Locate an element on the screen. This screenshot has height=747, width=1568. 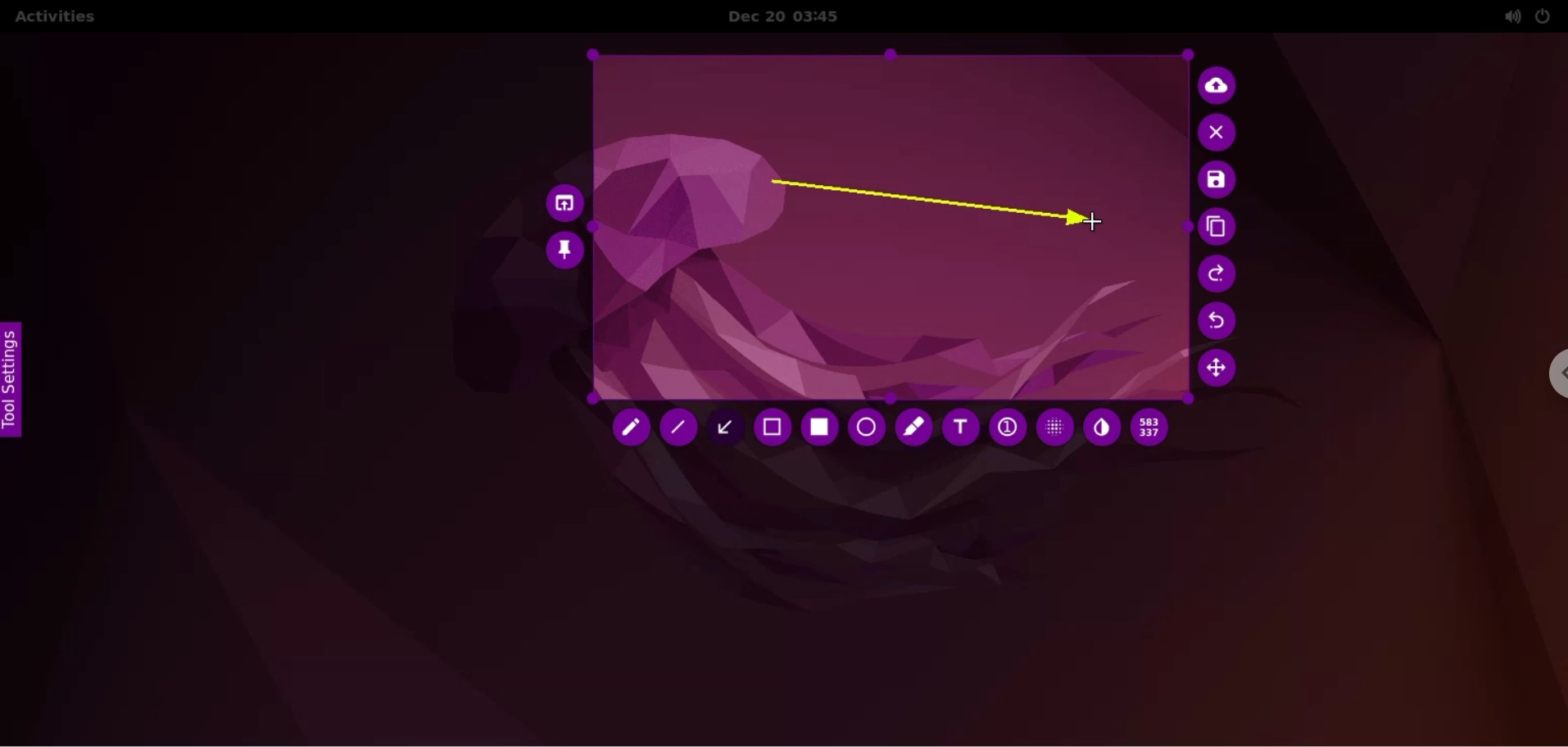
choose app to open screenshot is located at coordinates (560, 200).